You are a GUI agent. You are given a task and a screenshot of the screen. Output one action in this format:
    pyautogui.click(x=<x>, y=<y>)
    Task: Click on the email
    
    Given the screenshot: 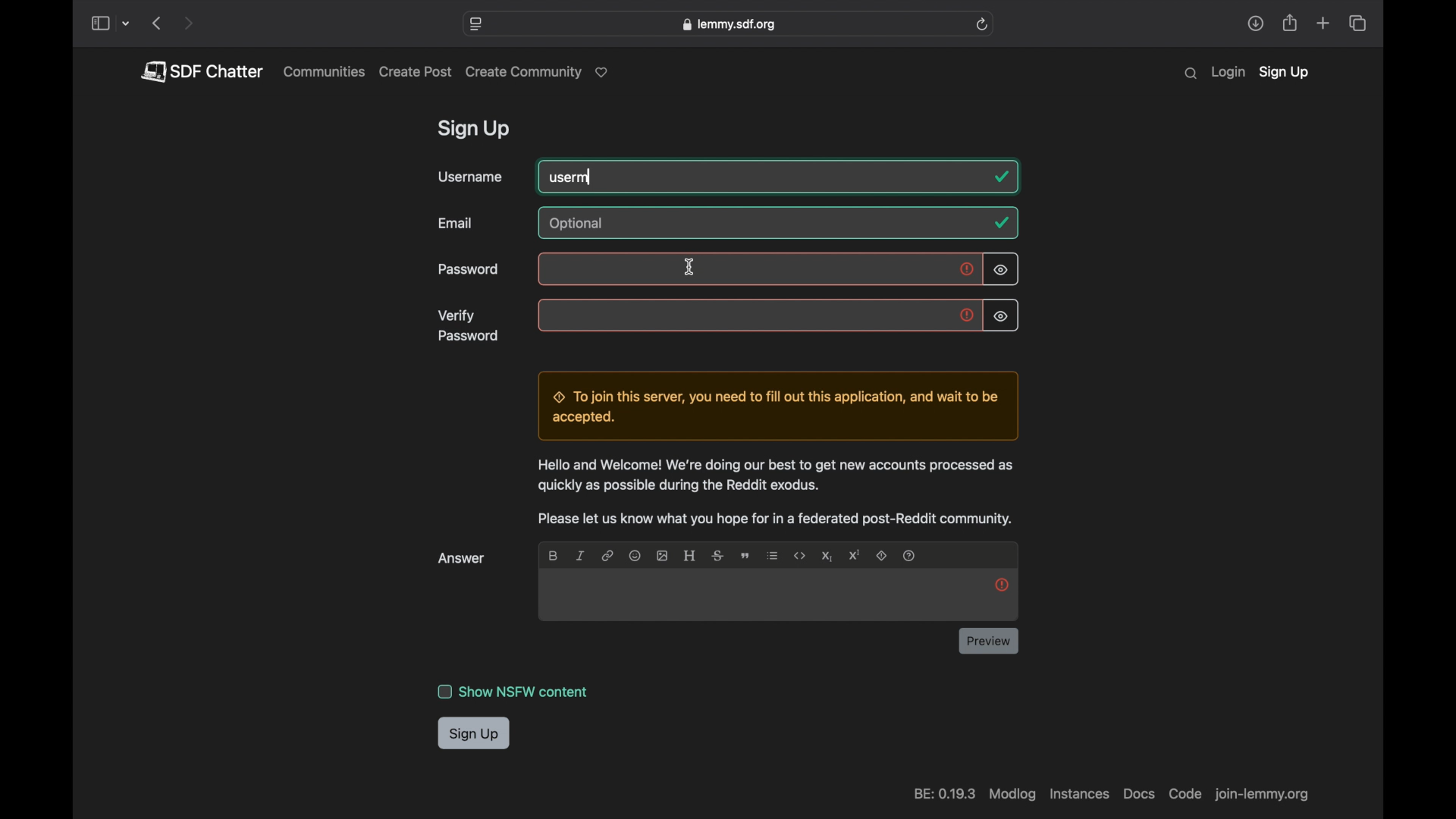 What is the action you would take?
    pyautogui.click(x=457, y=223)
    